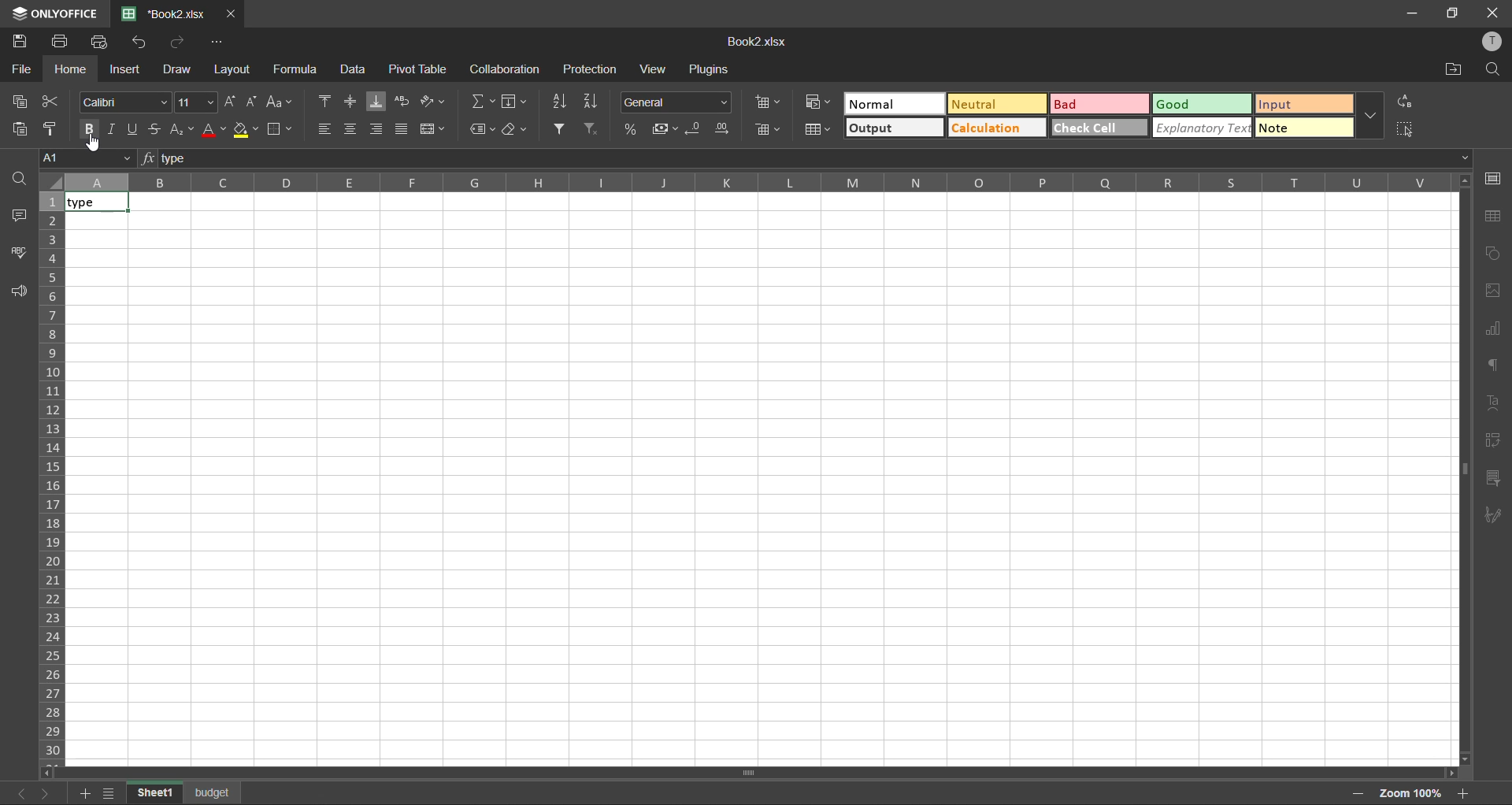 Image resolution: width=1512 pixels, height=805 pixels. What do you see at coordinates (1493, 481) in the screenshot?
I see `slicer` at bounding box center [1493, 481].